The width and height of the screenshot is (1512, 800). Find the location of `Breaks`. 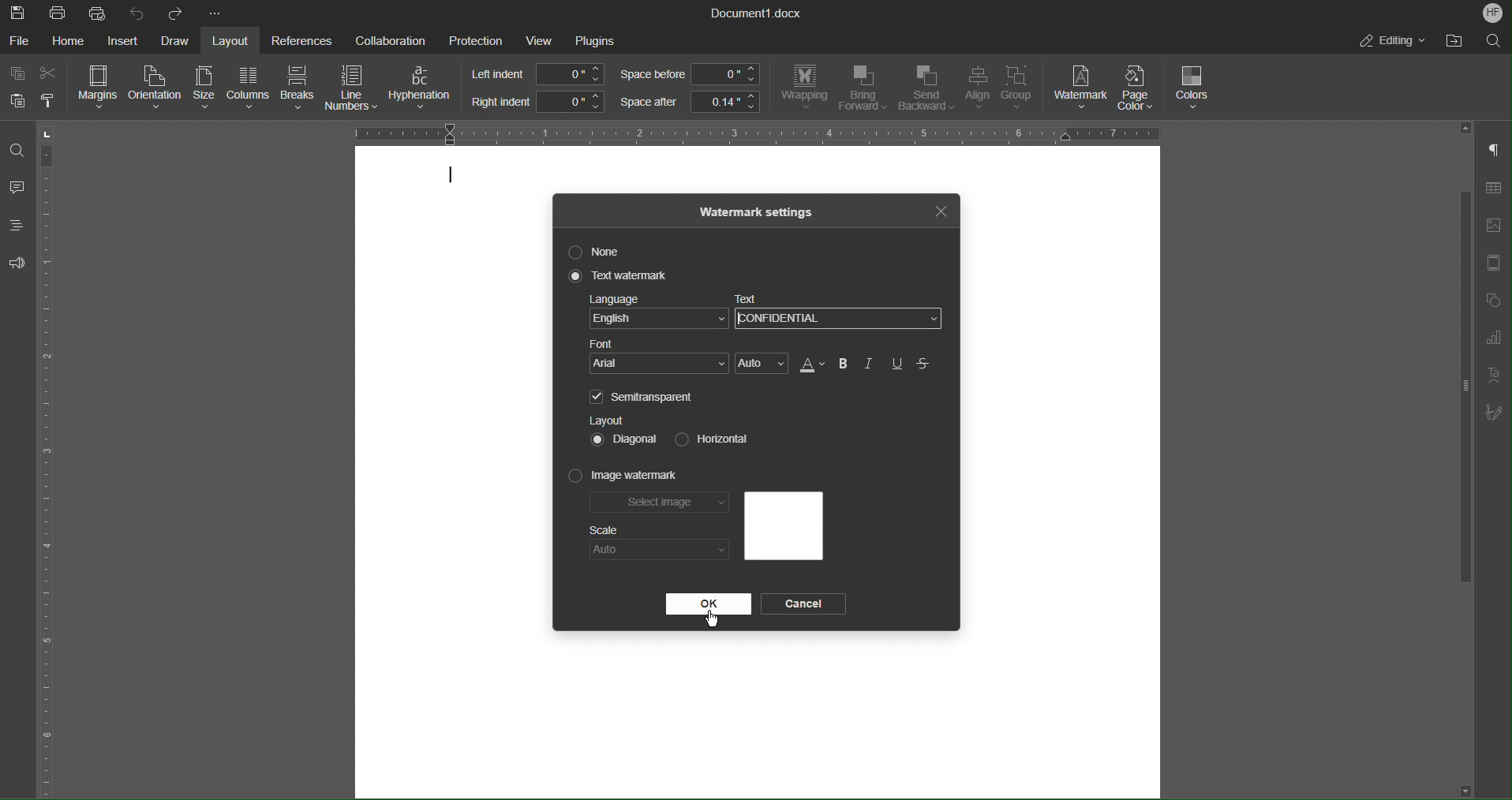

Breaks is located at coordinates (298, 89).